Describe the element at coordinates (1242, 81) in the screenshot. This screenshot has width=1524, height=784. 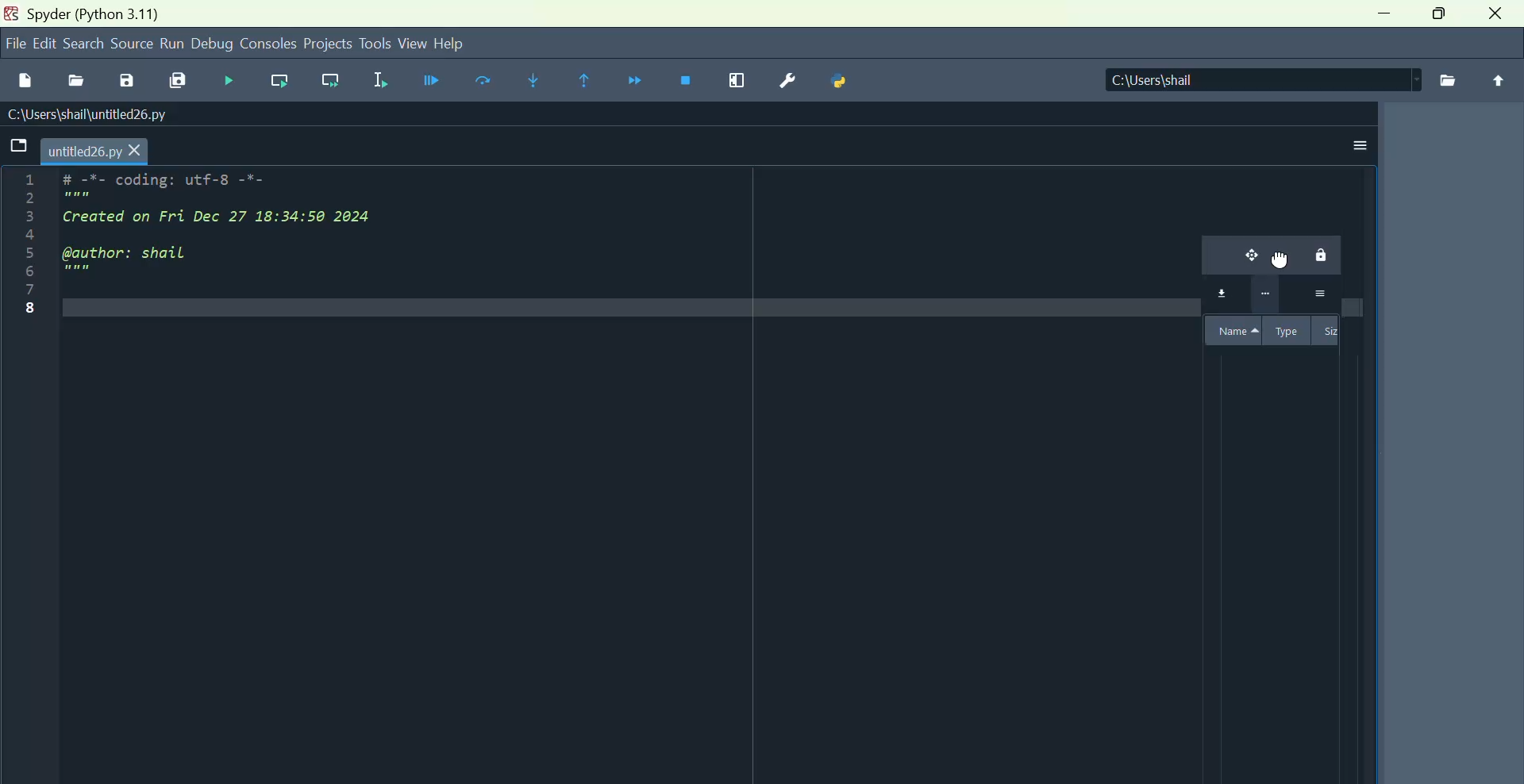
I see `| C:\Users\shail` at that location.